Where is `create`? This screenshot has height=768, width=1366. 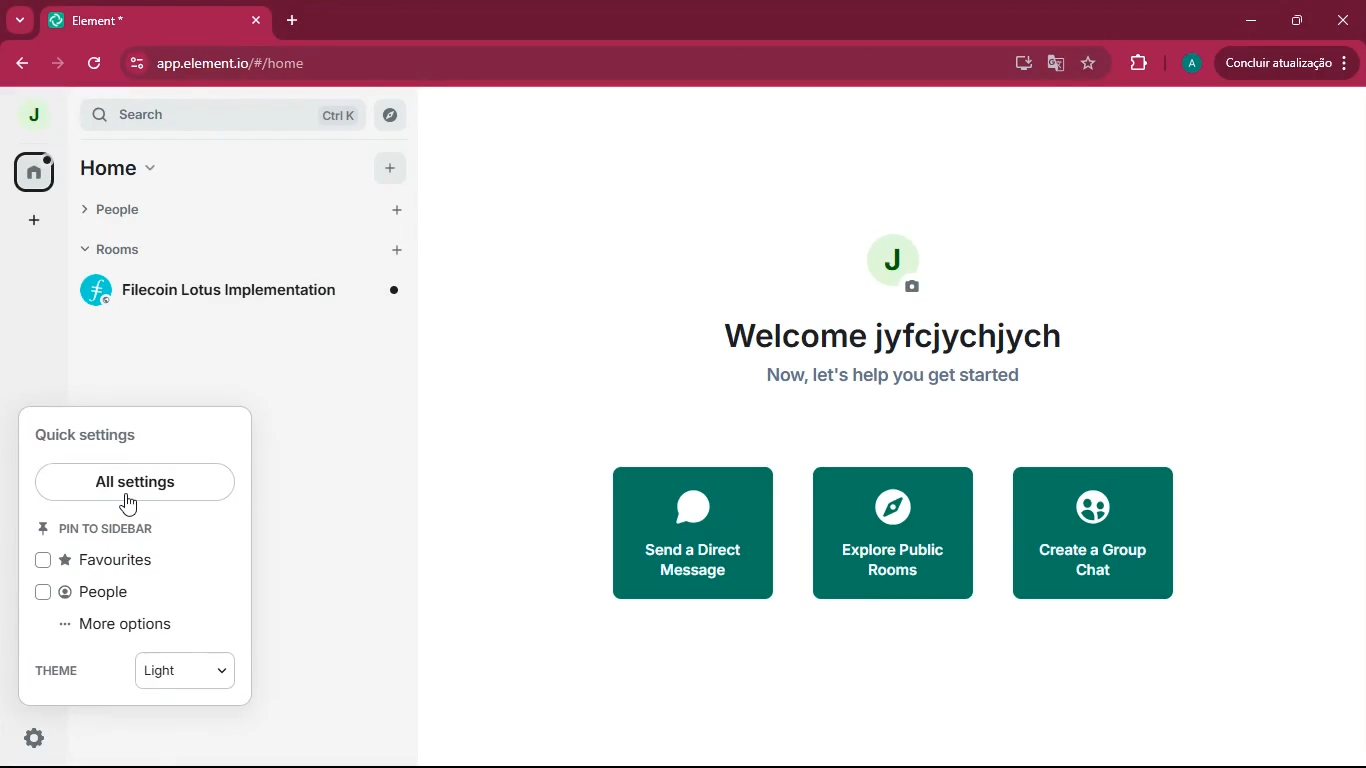 create is located at coordinates (1094, 533).